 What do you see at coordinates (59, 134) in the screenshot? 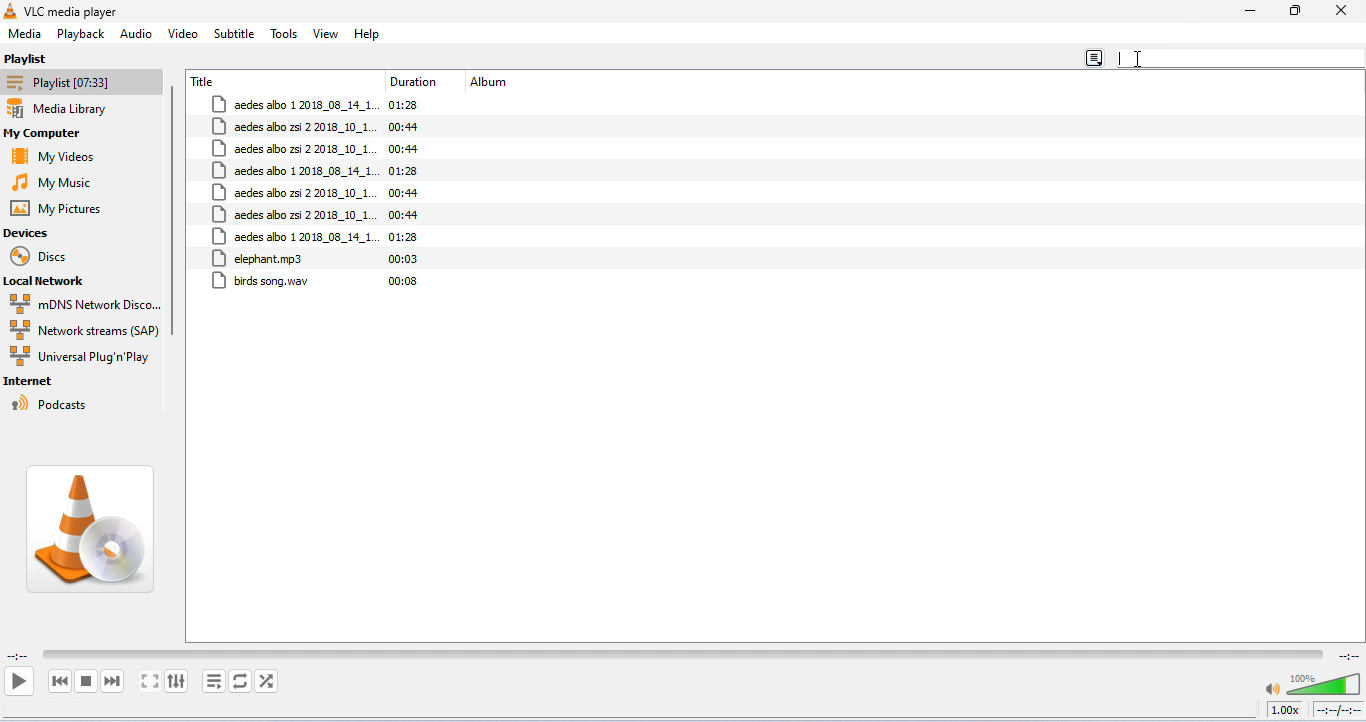
I see `my computer` at bounding box center [59, 134].